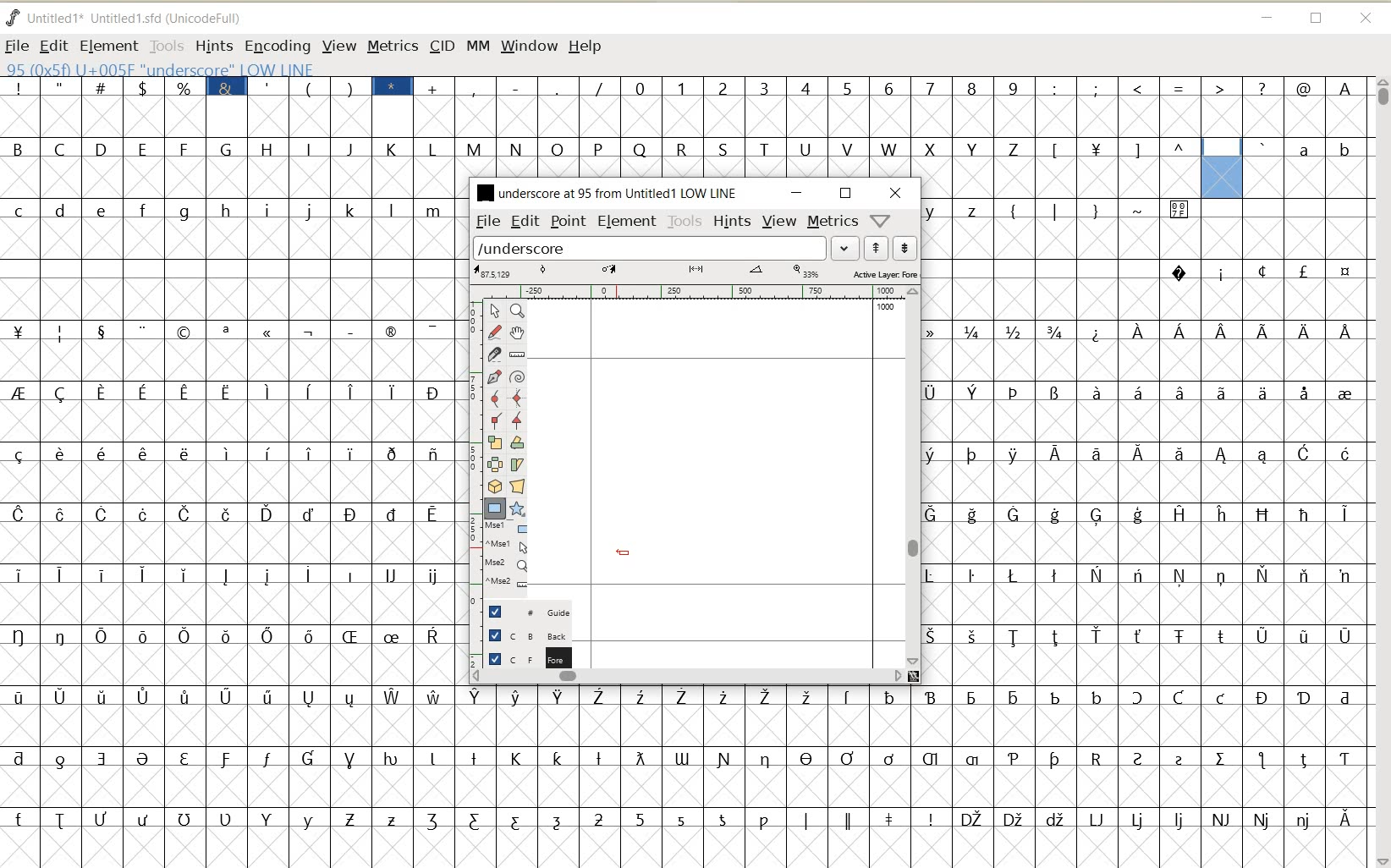 This screenshot has height=868, width=1391. What do you see at coordinates (17, 46) in the screenshot?
I see `FILE` at bounding box center [17, 46].